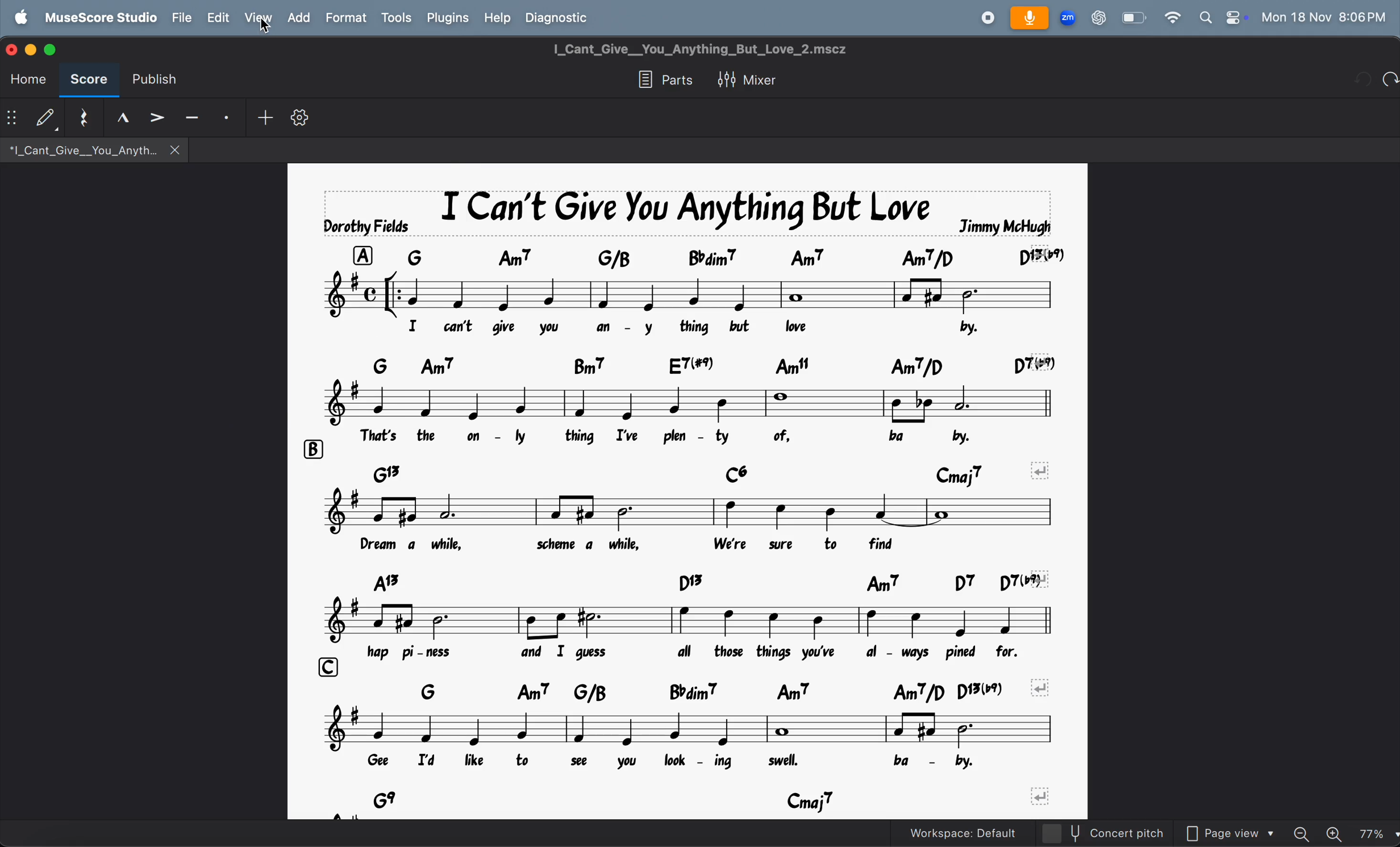 Image resolution: width=1400 pixels, height=847 pixels. I want to click on zoom, so click(1069, 16).